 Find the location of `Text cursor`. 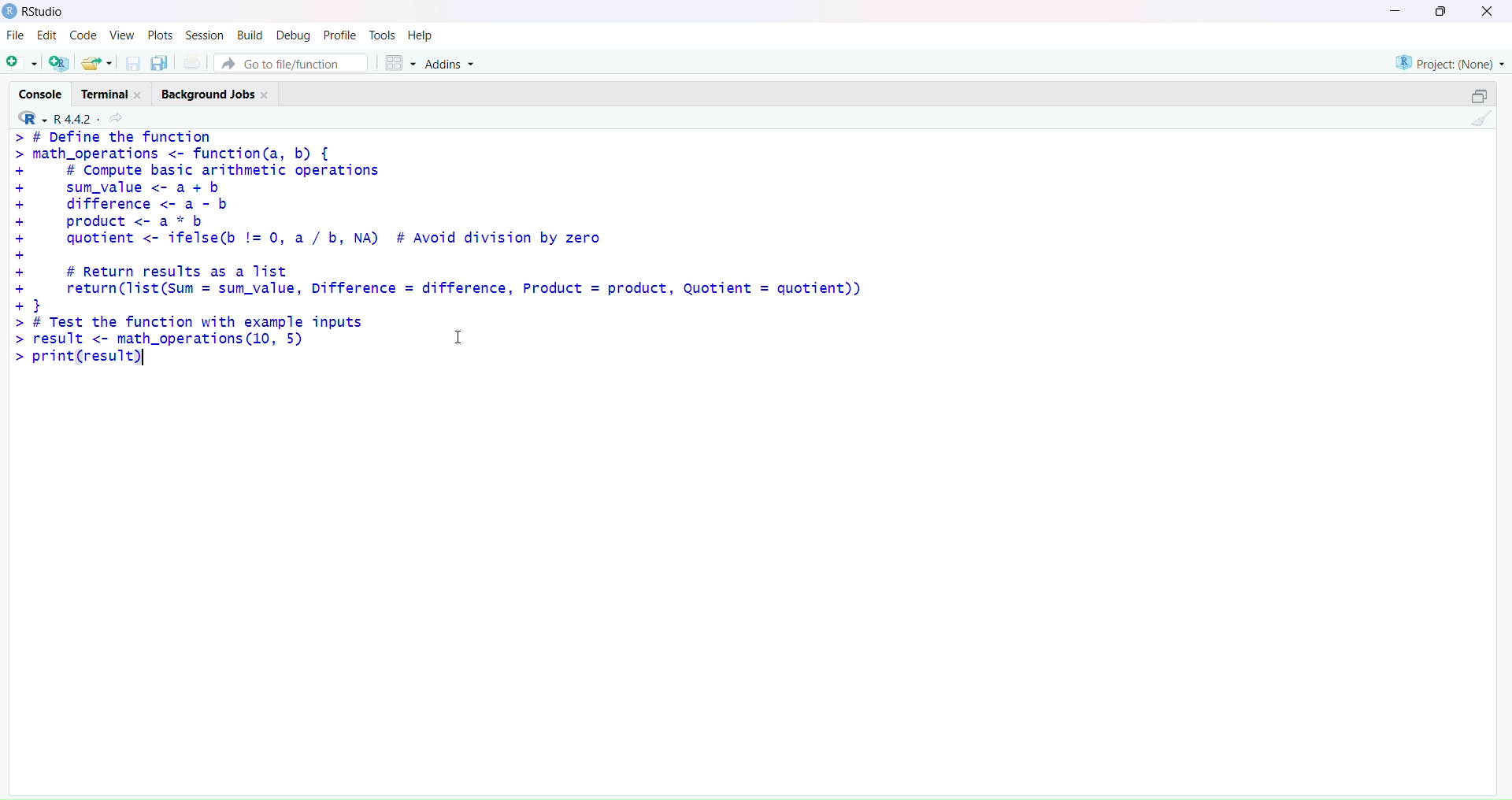

Text cursor is located at coordinates (462, 335).